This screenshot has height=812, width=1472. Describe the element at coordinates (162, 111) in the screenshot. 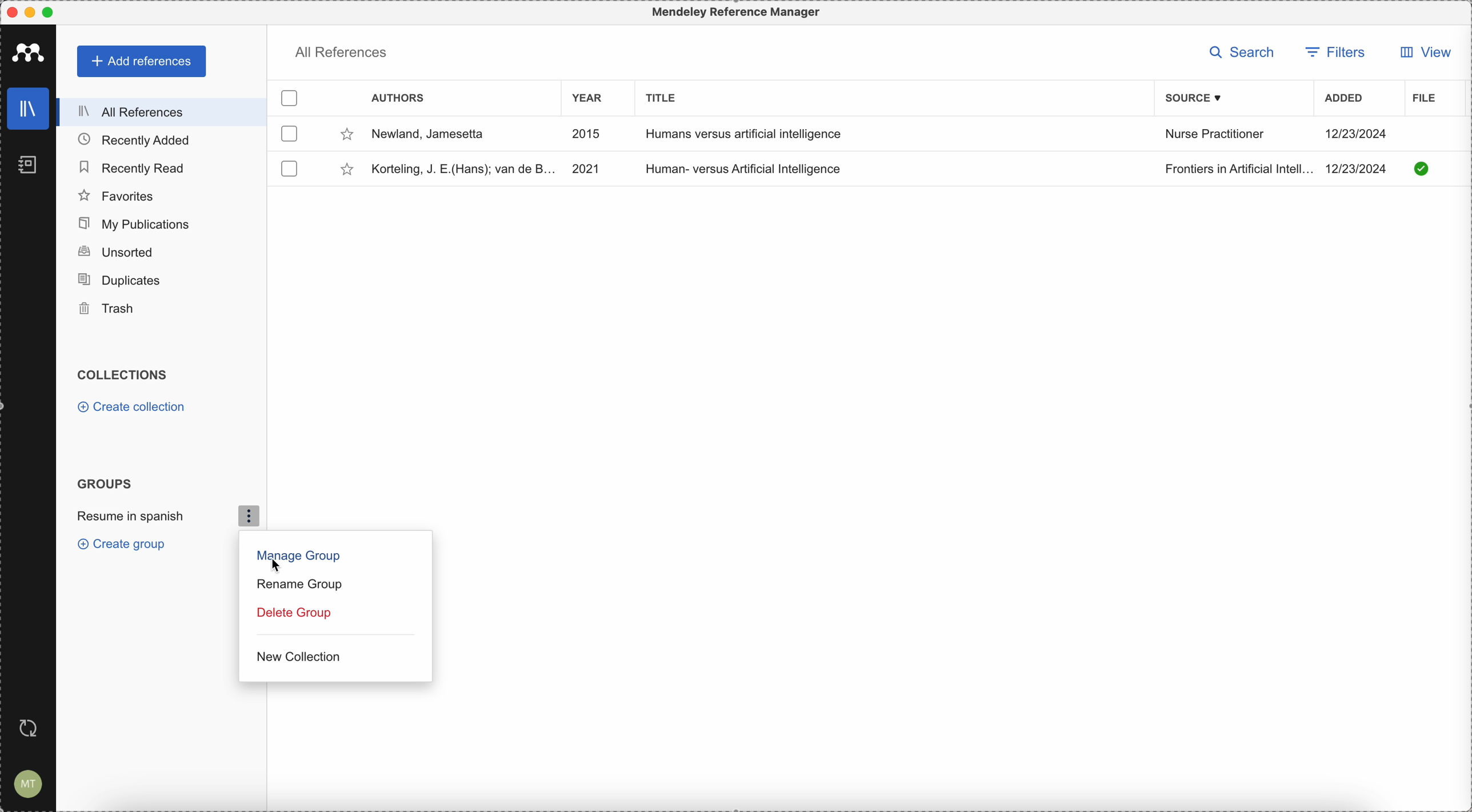

I see `all references` at that location.